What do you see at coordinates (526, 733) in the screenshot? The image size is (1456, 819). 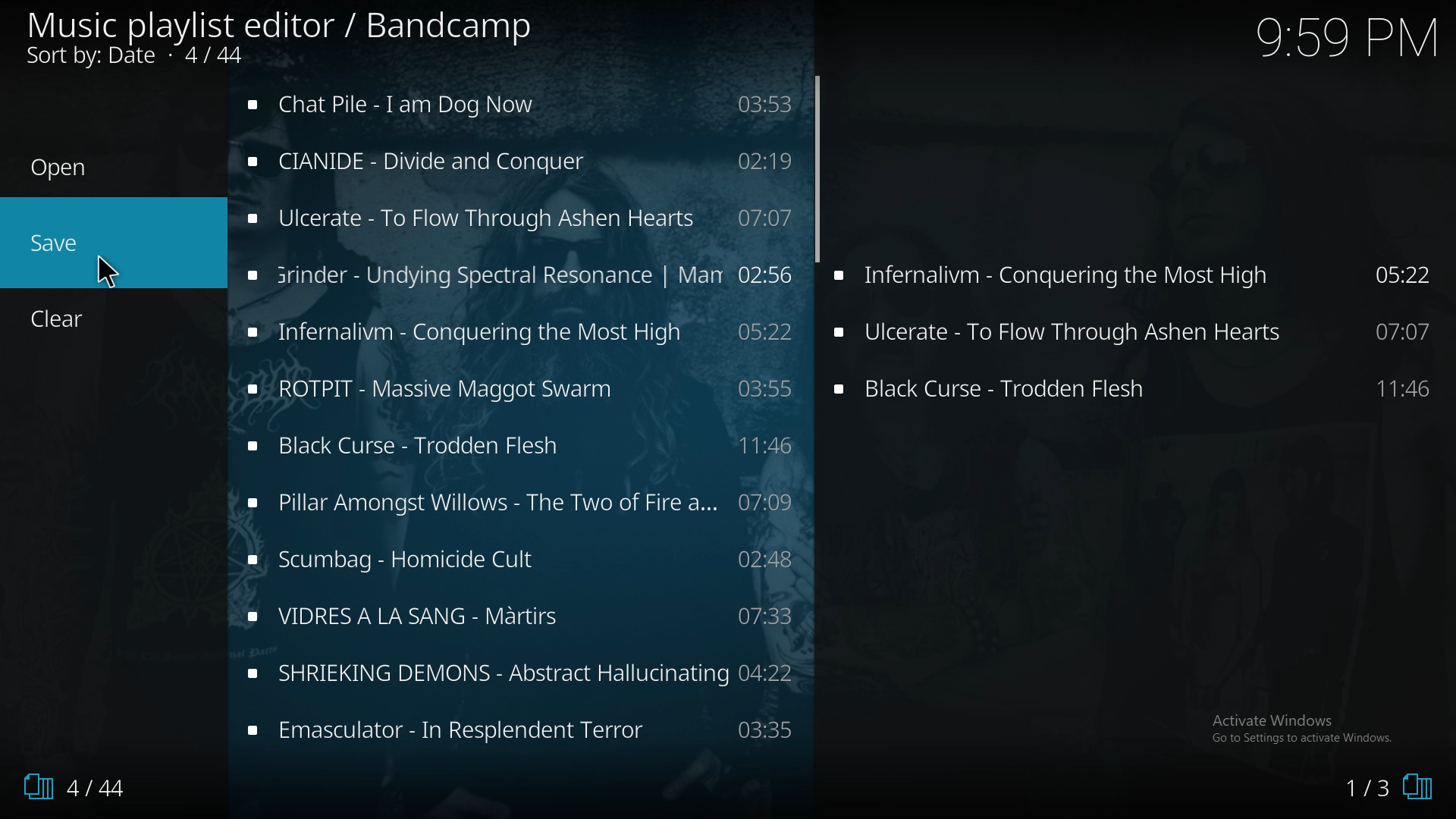 I see `music` at bounding box center [526, 733].